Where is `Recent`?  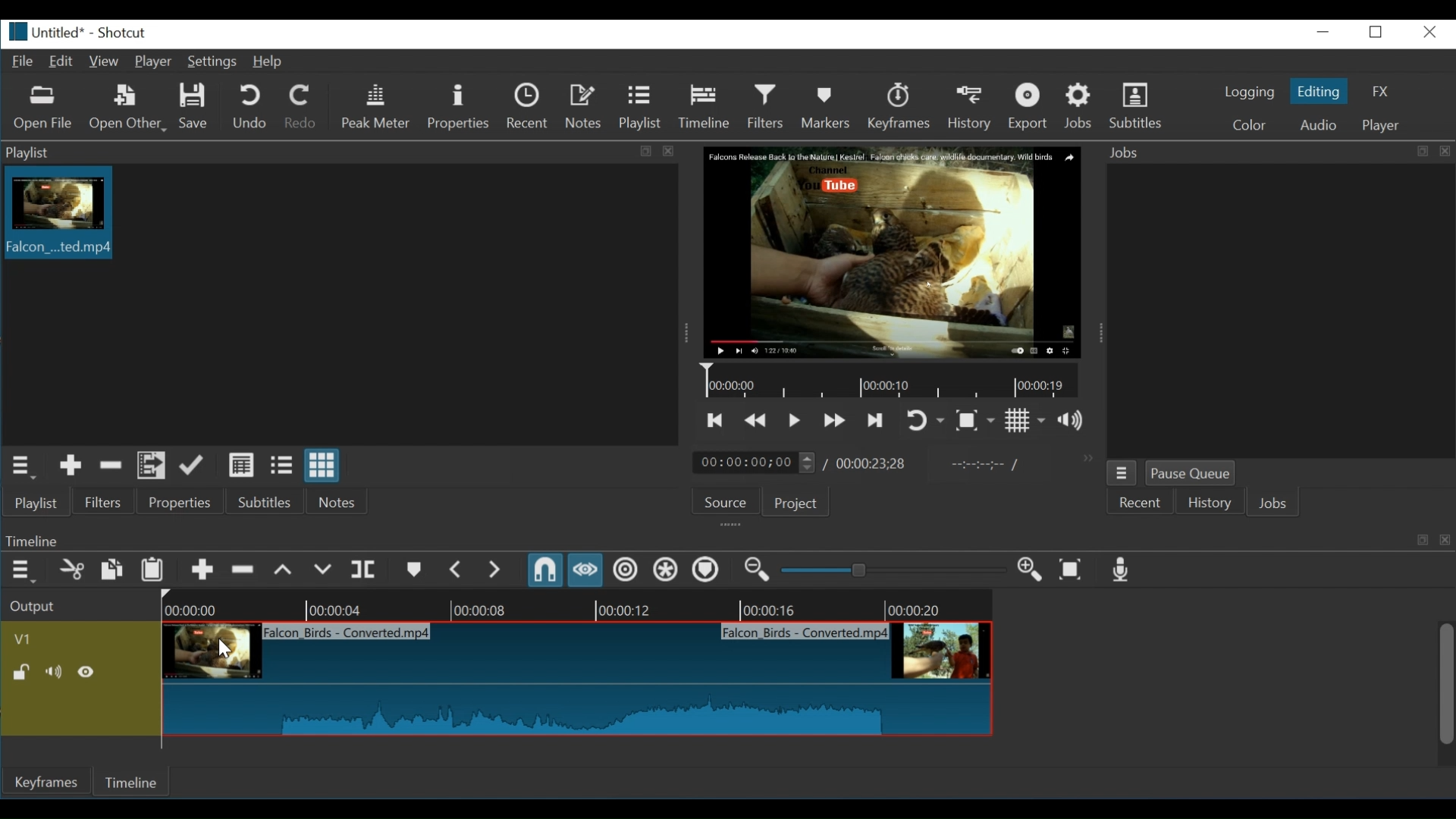
Recent is located at coordinates (1138, 504).